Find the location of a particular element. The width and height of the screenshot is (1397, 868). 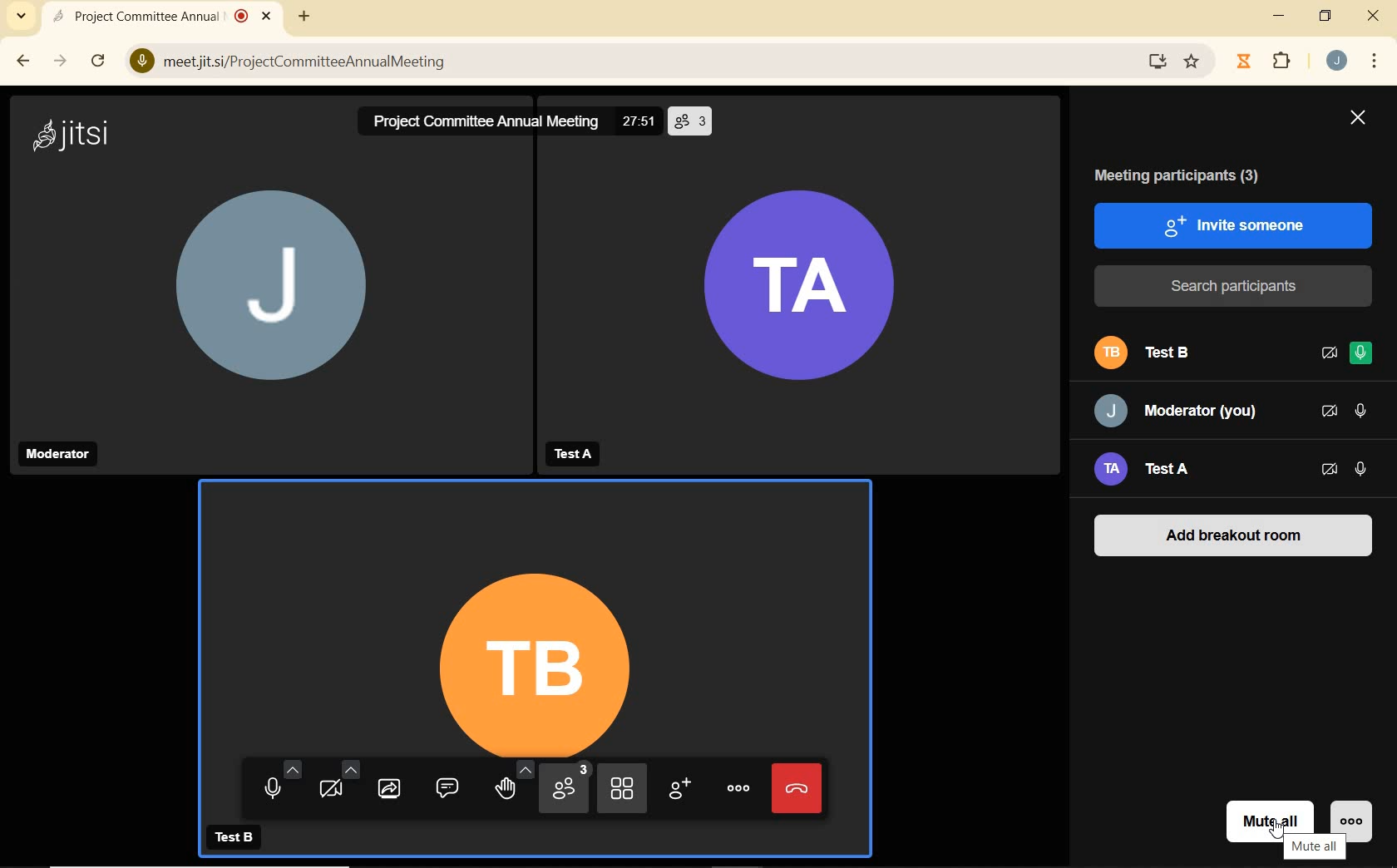

jitsi is located at coordinates (74, 134).